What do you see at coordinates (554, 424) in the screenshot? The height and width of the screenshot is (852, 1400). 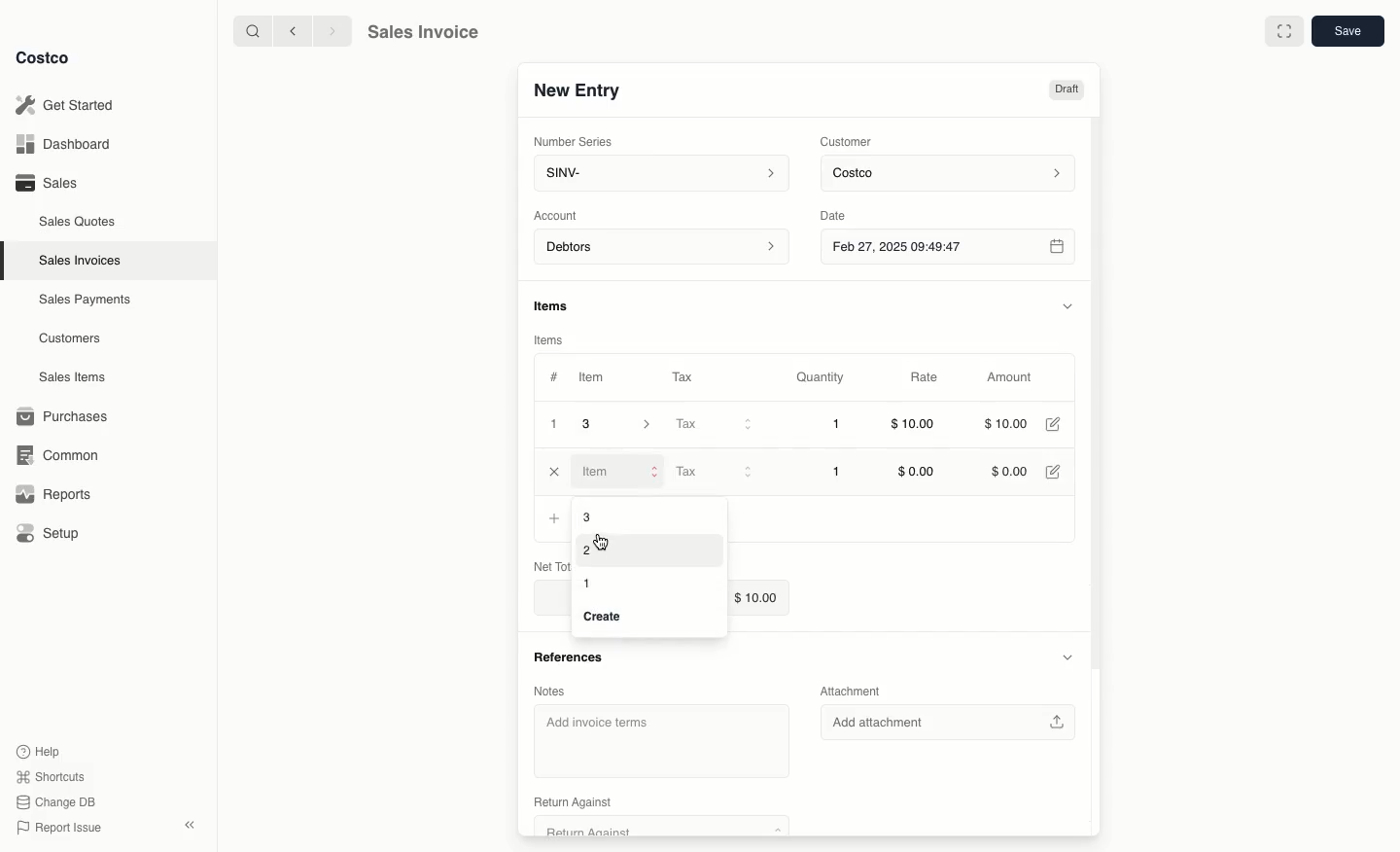 I see `1` at bounding box center [554, 424].